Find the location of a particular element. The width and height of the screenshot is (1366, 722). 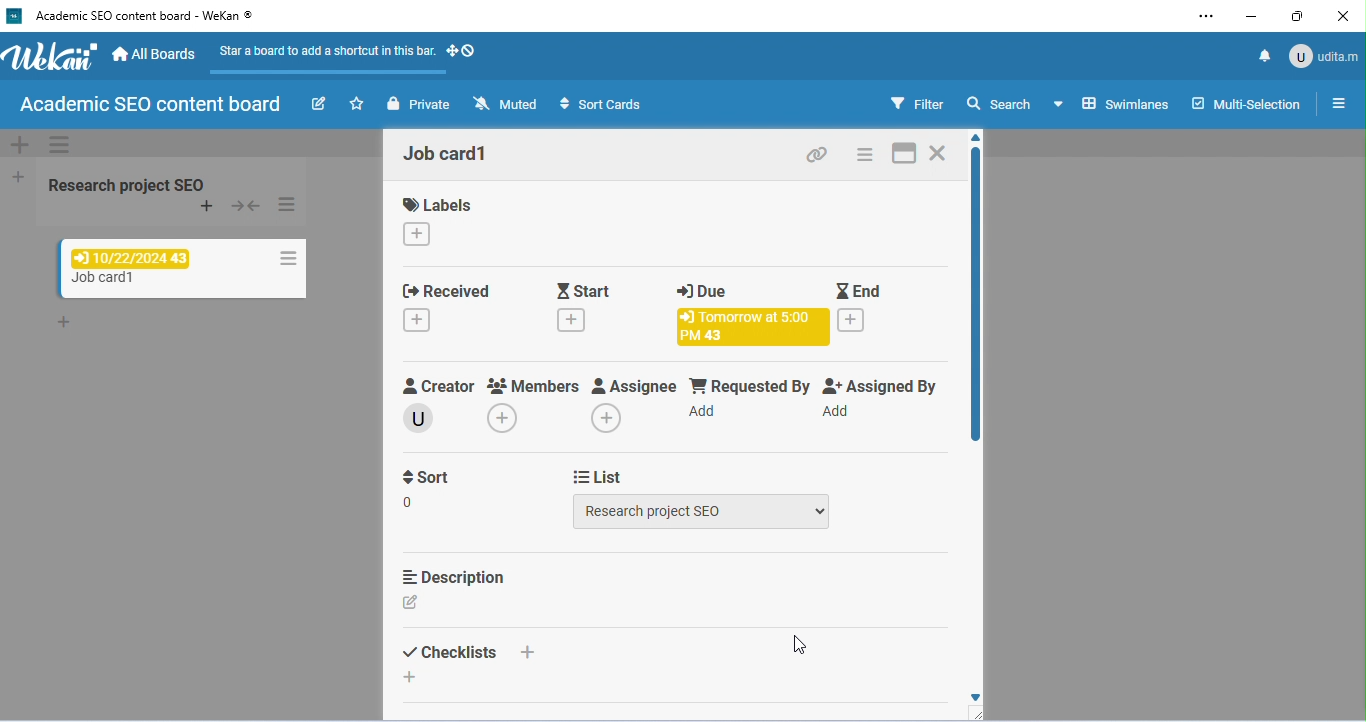

move down is located at coordinates (975, 699).